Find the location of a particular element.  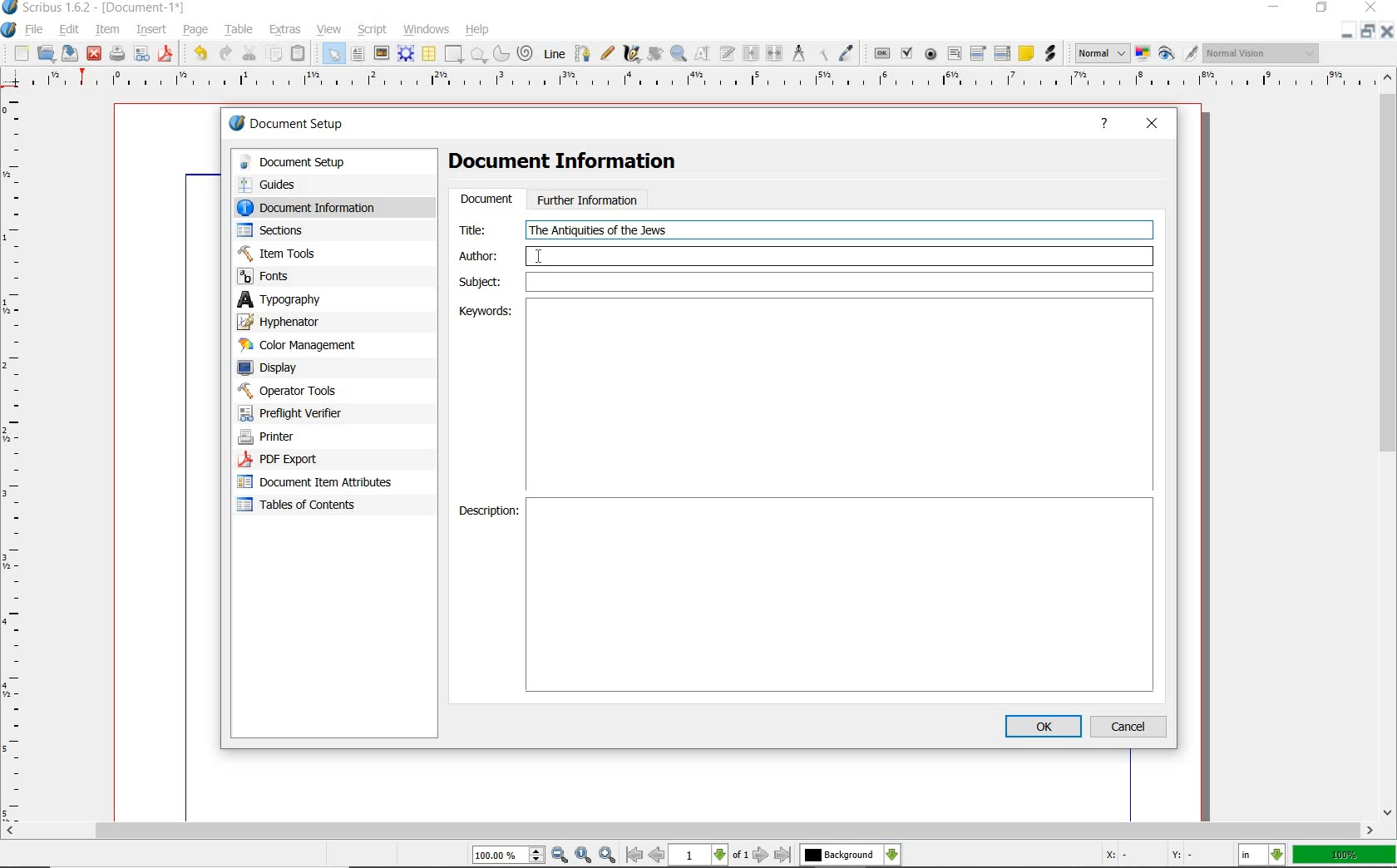

select is located at coordinates (335, 53).